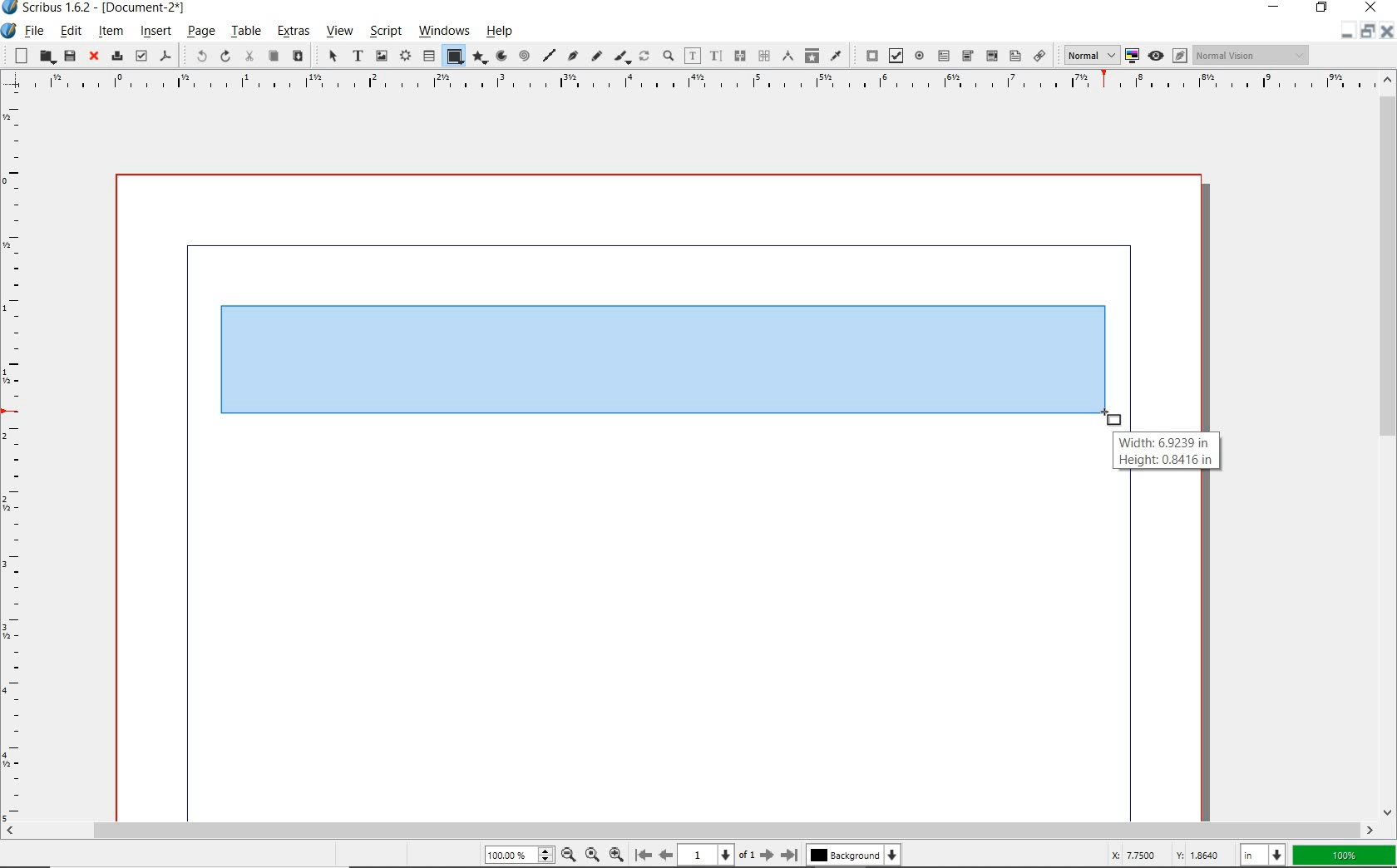 The image size is (1397, 868). I want to click on copy, so click(273, 57).